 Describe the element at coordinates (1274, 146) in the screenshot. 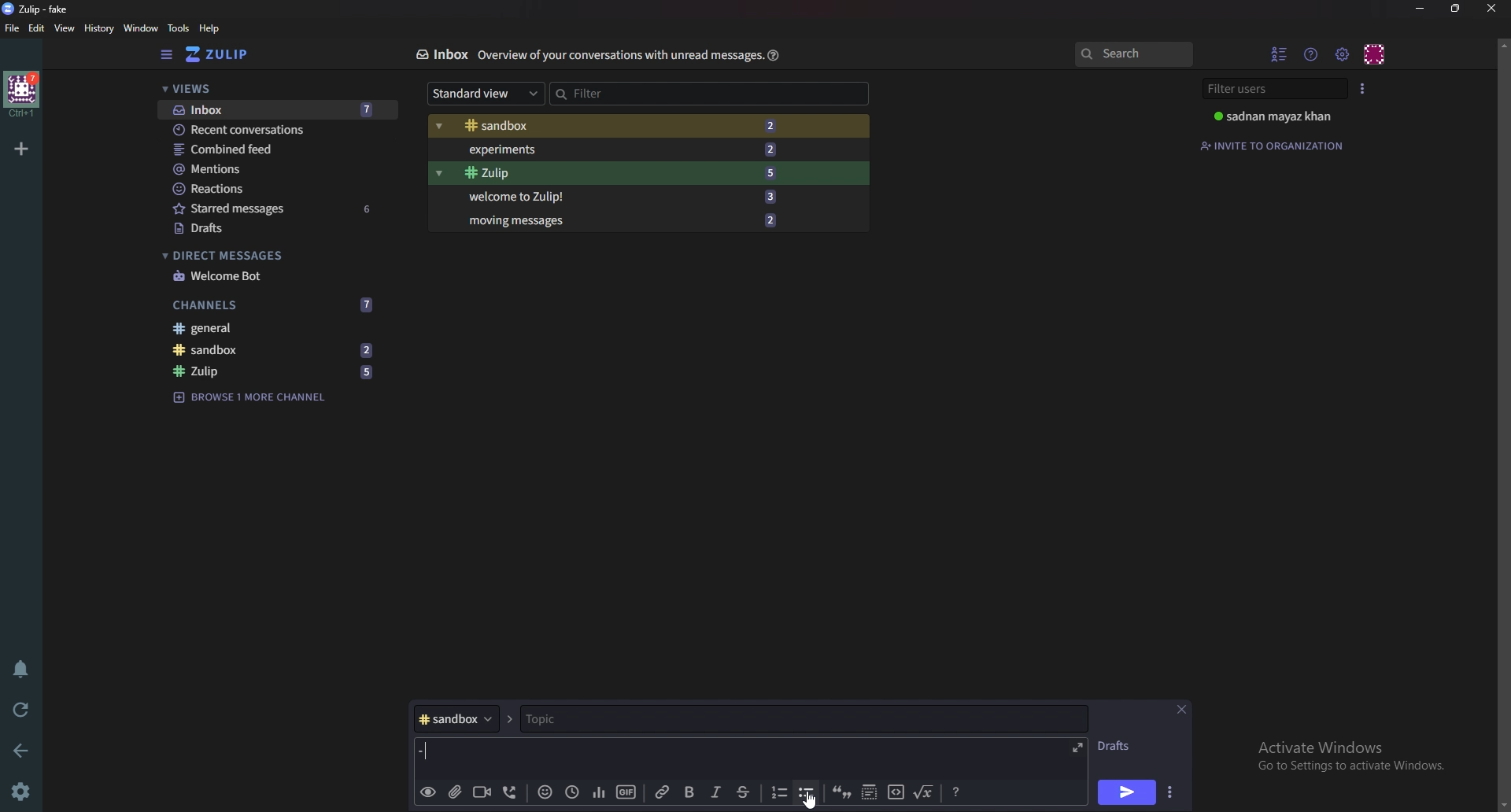

I see `Invite to organization` at that location.